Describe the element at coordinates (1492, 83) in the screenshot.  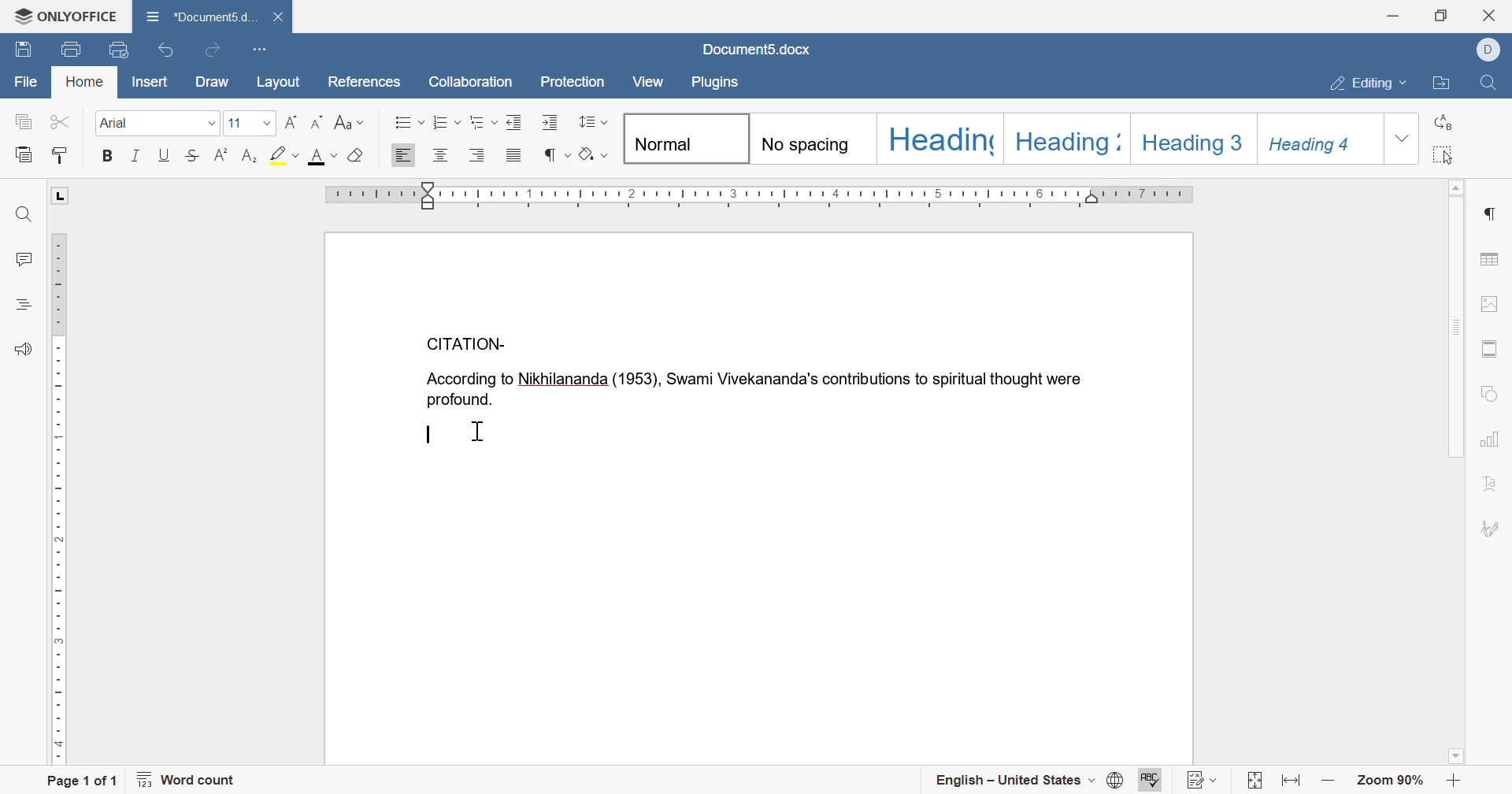
I see `find` at that location.